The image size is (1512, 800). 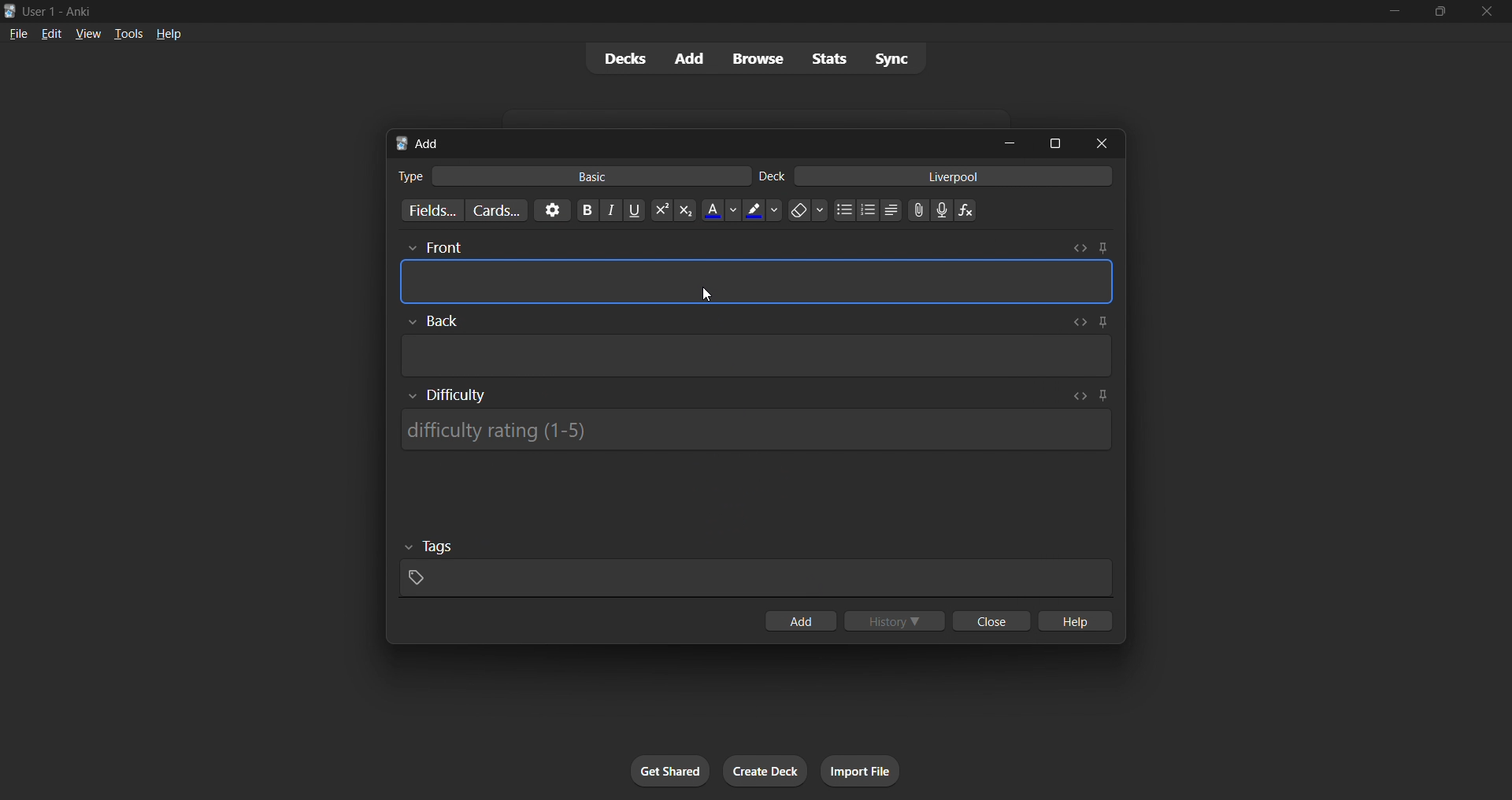 What do you see at coordinates (1102, 397) in the screenshot?
I see `Toggle sticky` at bounding box center [1102, 397].